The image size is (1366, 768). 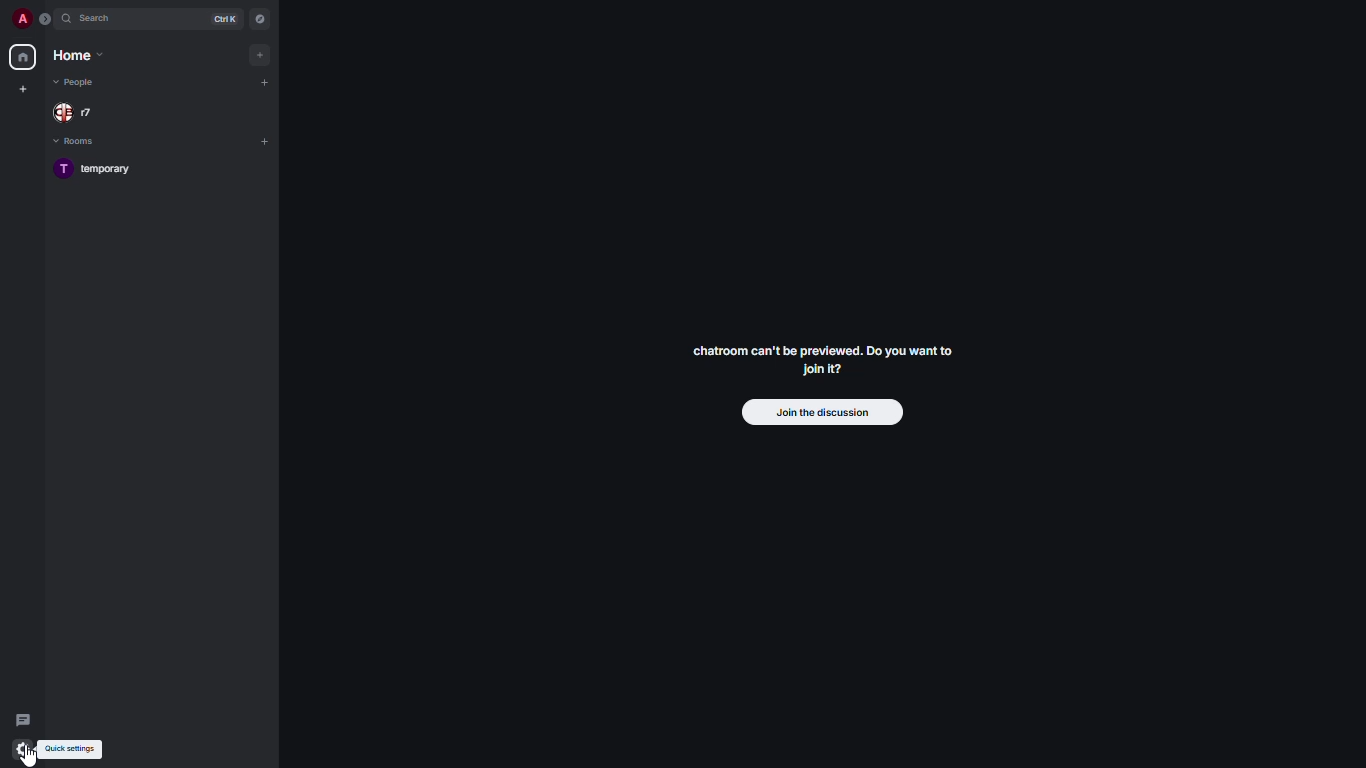 What do you see at coordinates (31, 754) in the screenshot?
I see `cursor` at bounding box center [31, 754].